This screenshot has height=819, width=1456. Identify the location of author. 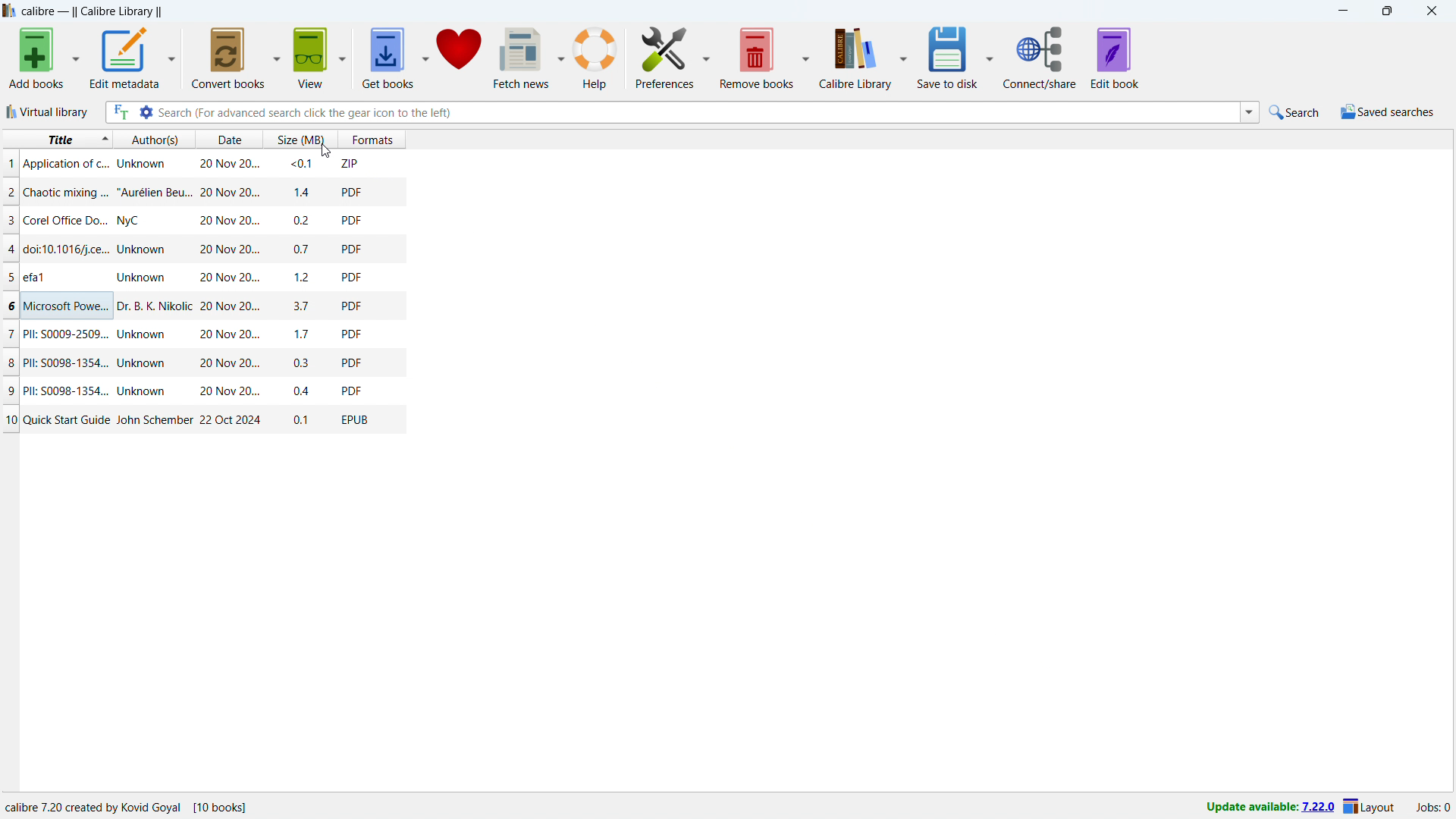
(143, 391).